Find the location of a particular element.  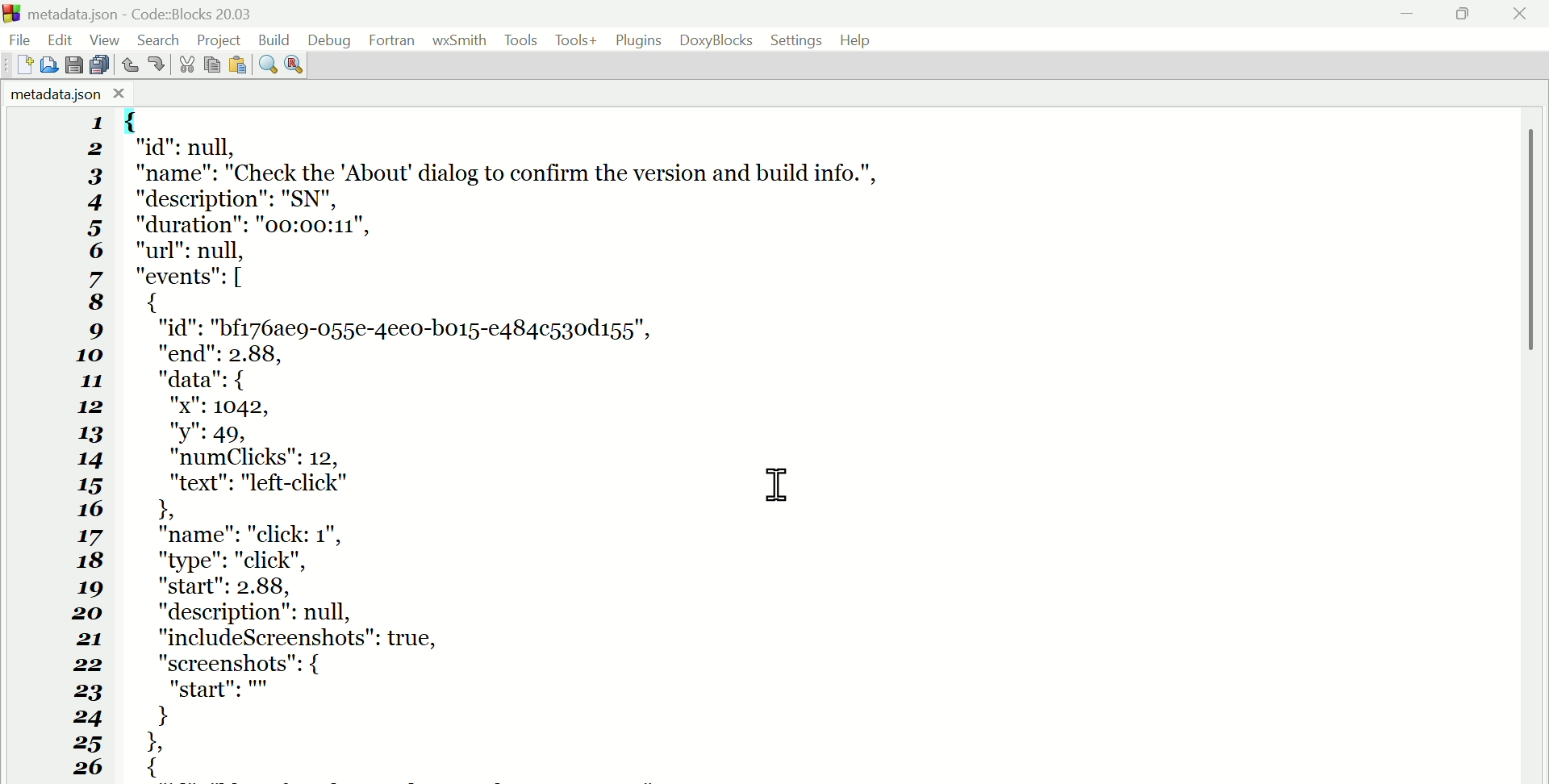

Settings is located at coordinates (797, 40).